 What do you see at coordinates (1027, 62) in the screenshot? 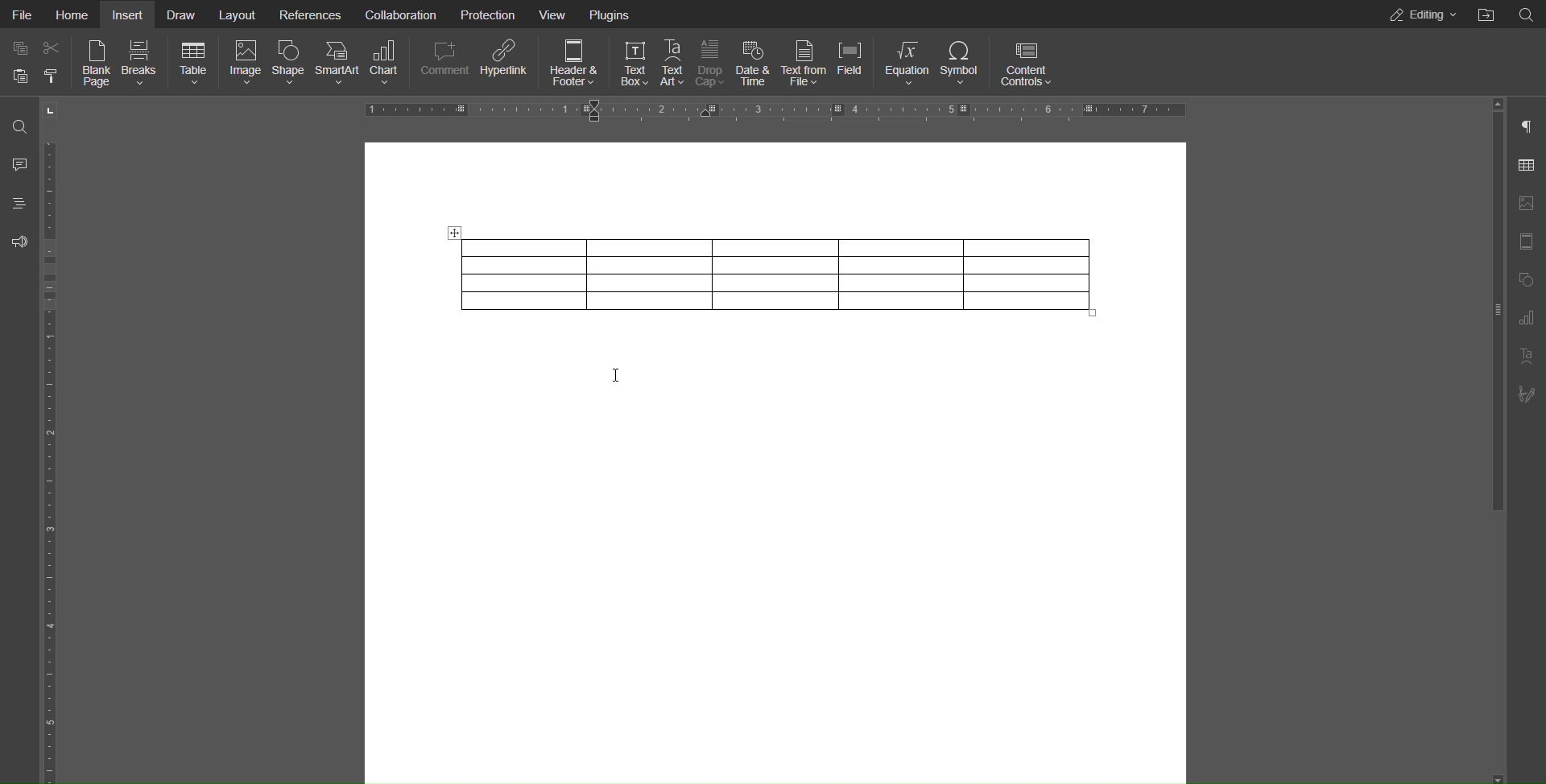
I see `Content Controls` at bounding box center [1027, 62].